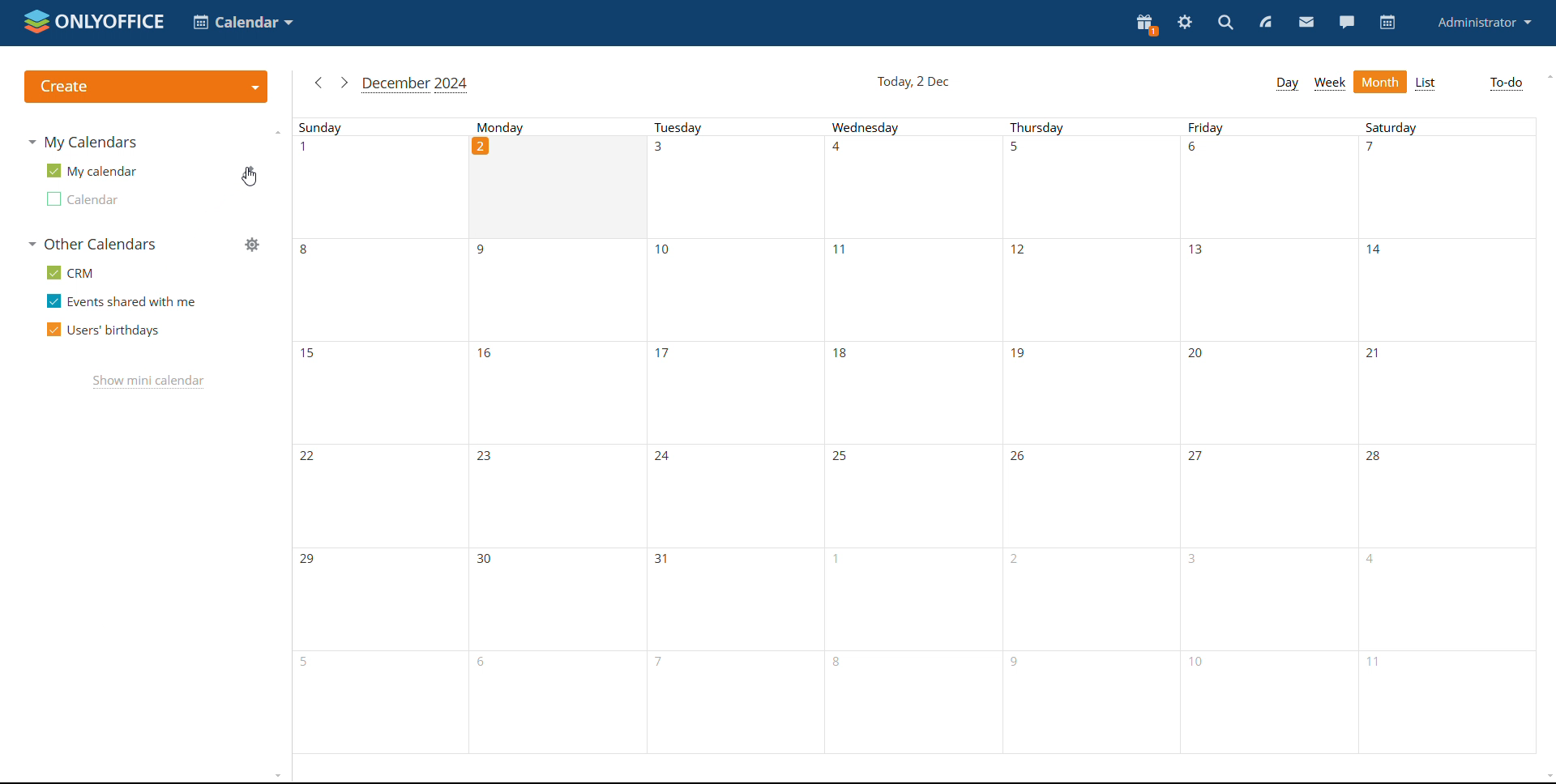  Describe the element at coordinates (1347, 23) in the screenshot. I see `chat` at that location.